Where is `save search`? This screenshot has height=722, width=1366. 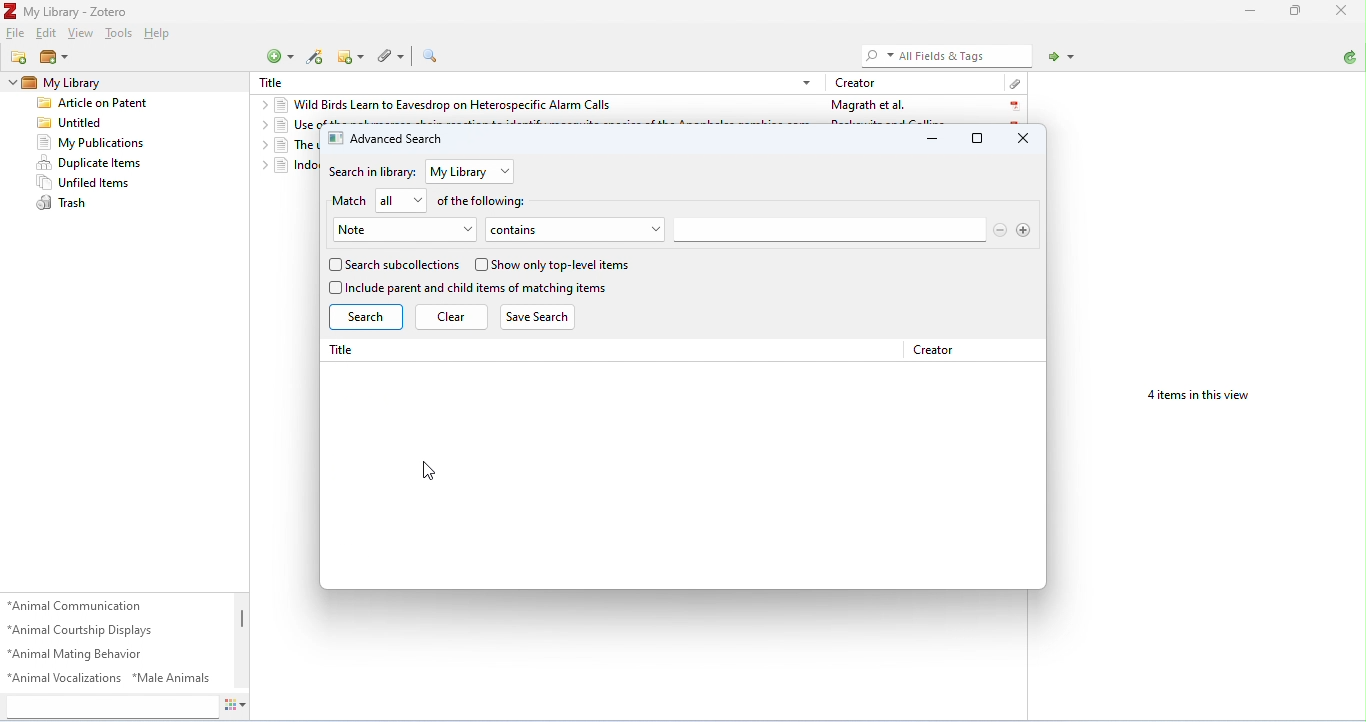 save search is located at coordinates (543, 317).